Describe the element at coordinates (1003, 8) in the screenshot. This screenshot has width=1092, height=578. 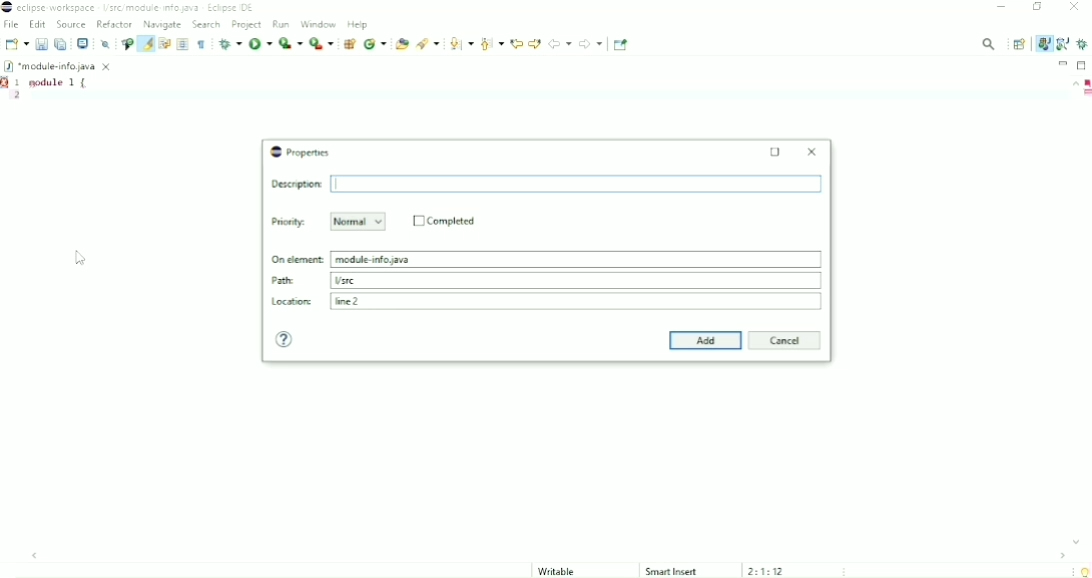
I see `Minimize` at that location.